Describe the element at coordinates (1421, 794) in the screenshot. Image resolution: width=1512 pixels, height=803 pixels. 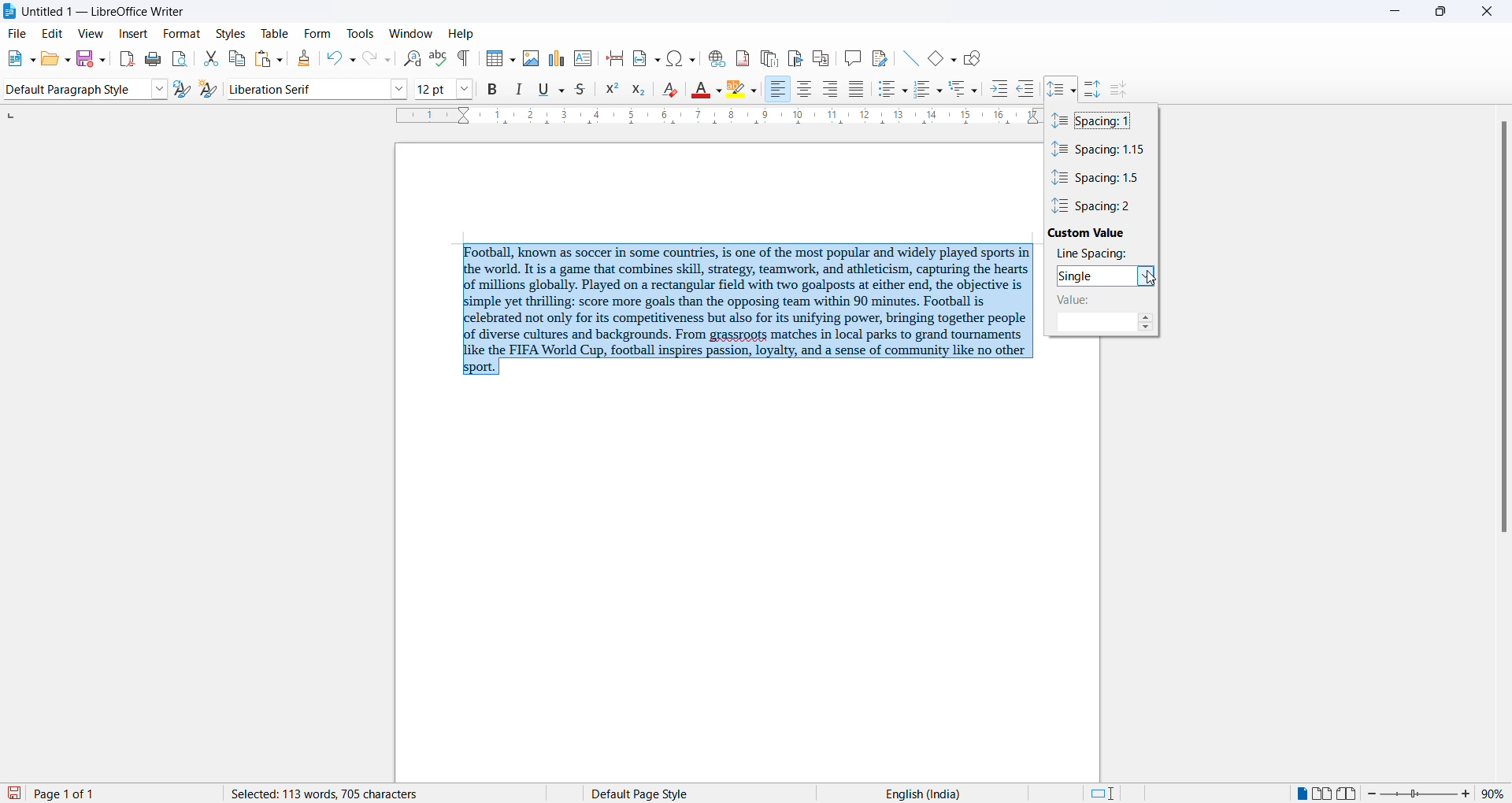
I see `zoom slider` at that location.